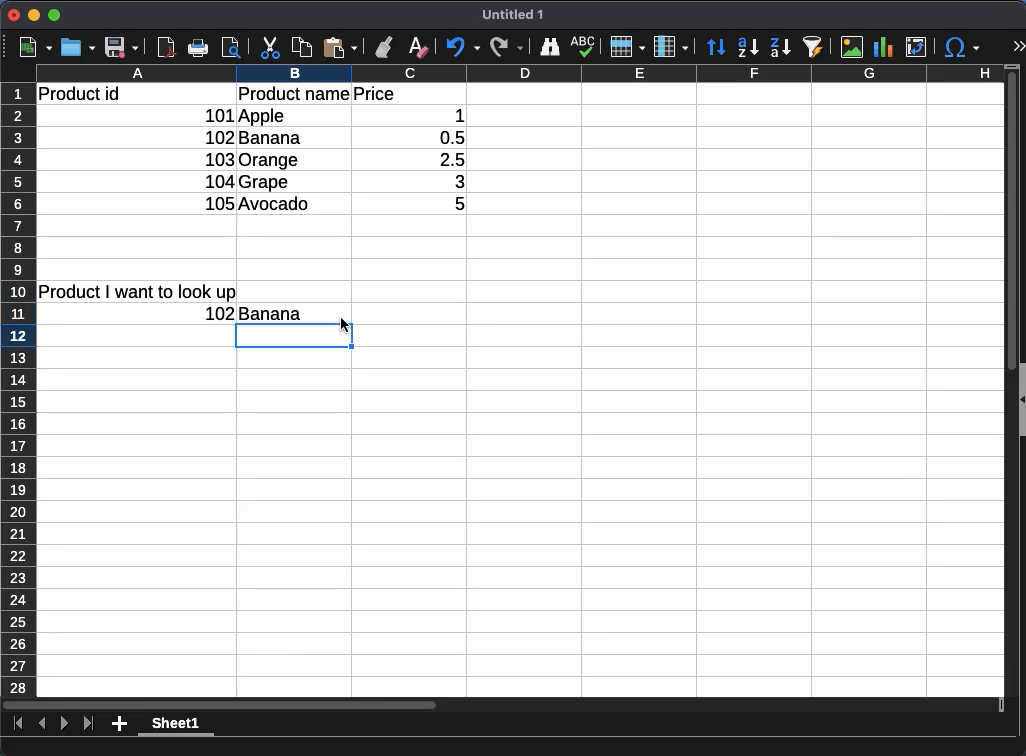 This screenshot has height=756, width=1026. I want to click on sort, so click(813, 47).